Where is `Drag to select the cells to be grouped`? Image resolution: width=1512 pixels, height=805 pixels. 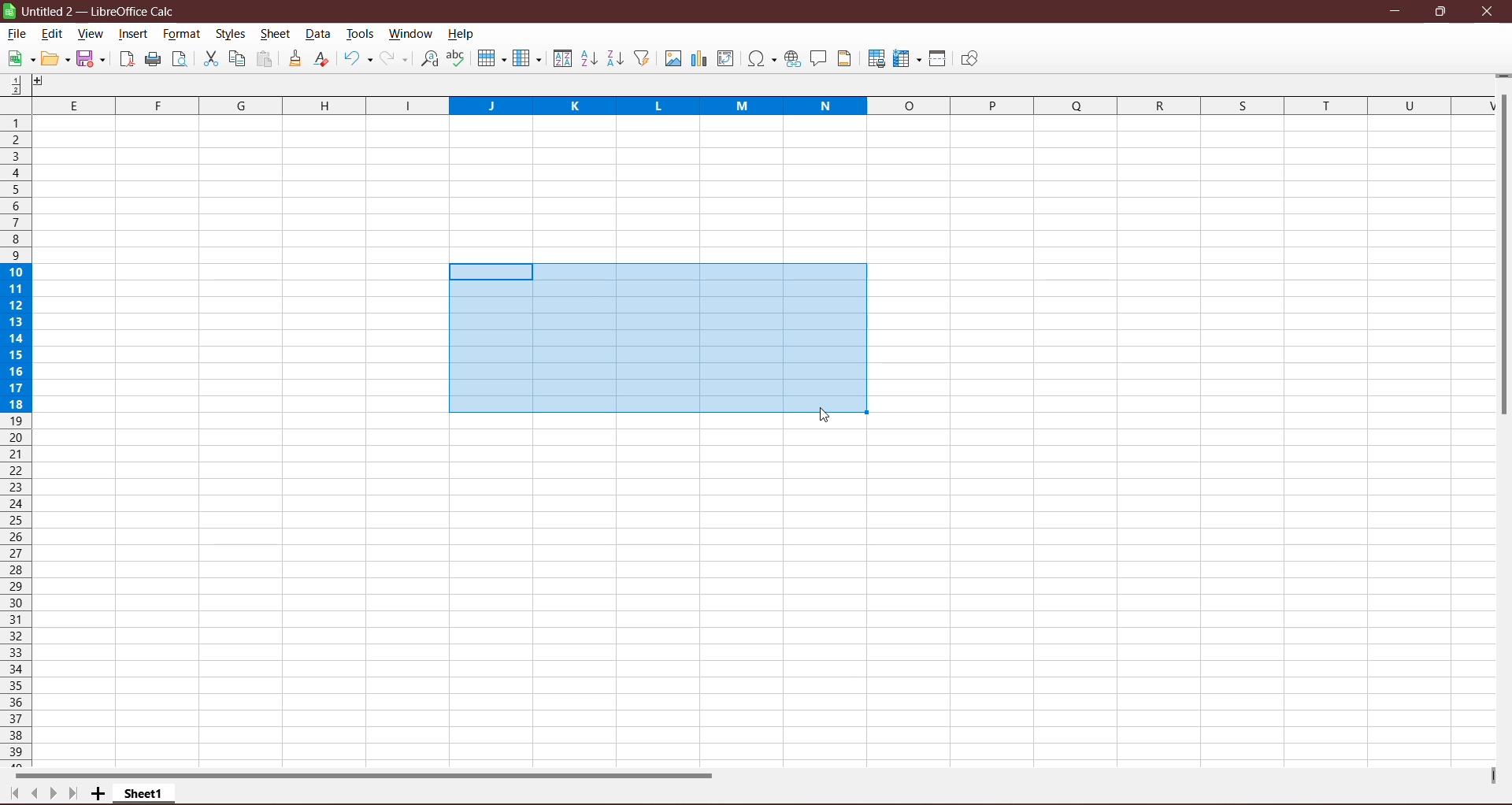
Drag to select the cells to be grouped is located at coordinates (658, 339).